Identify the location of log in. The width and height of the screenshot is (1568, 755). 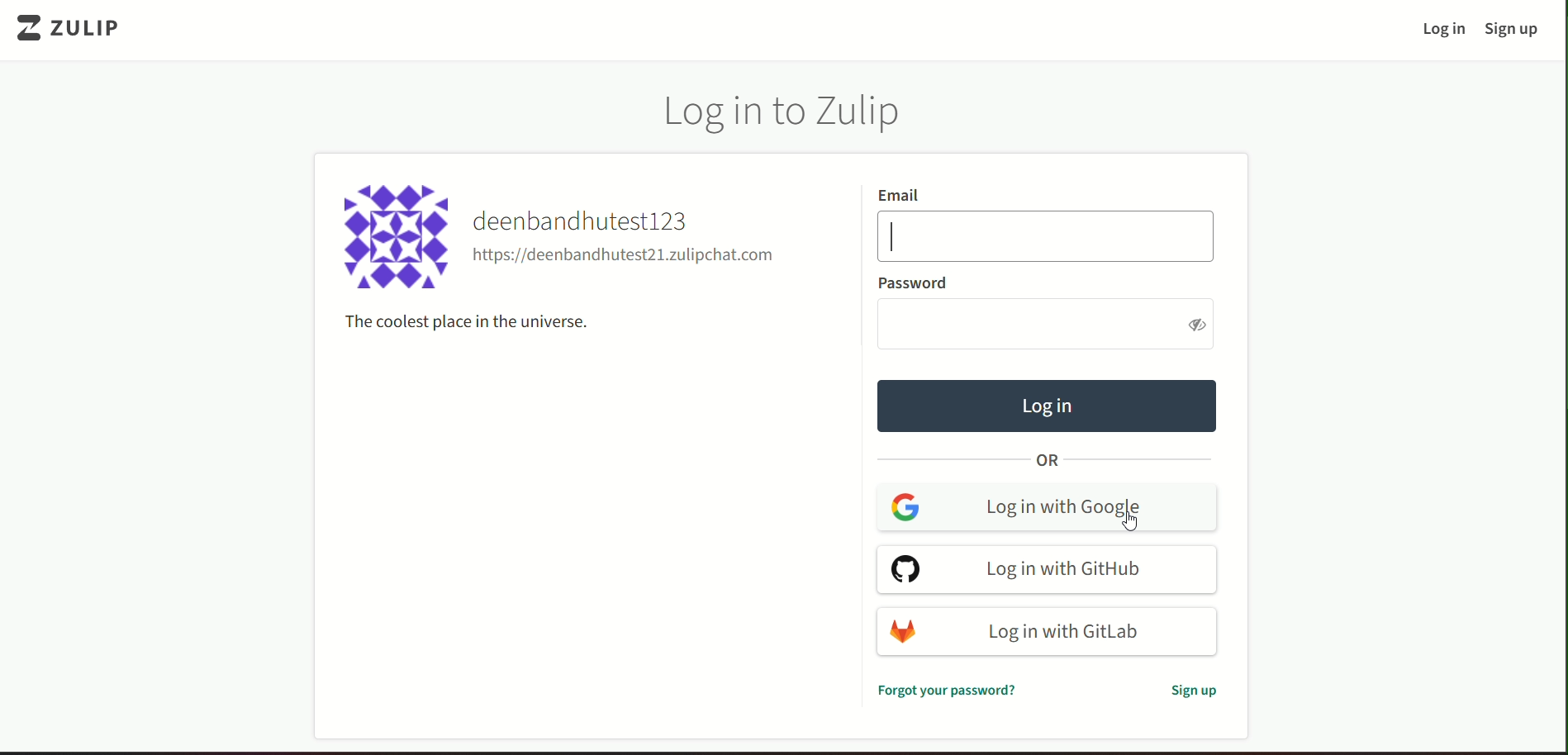
(1443, 31).